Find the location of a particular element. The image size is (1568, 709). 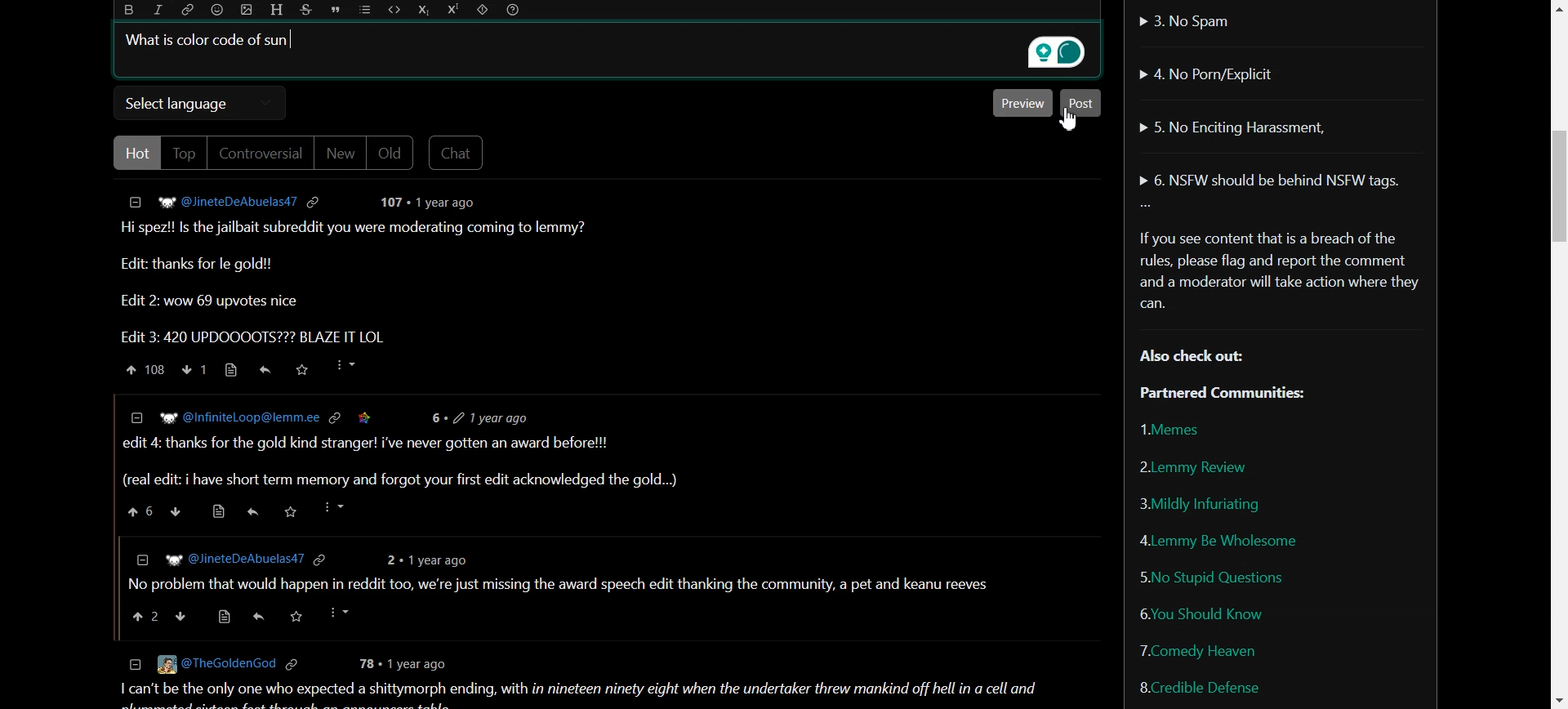

No Stupid Questions is located at coordinates (1209, 578).